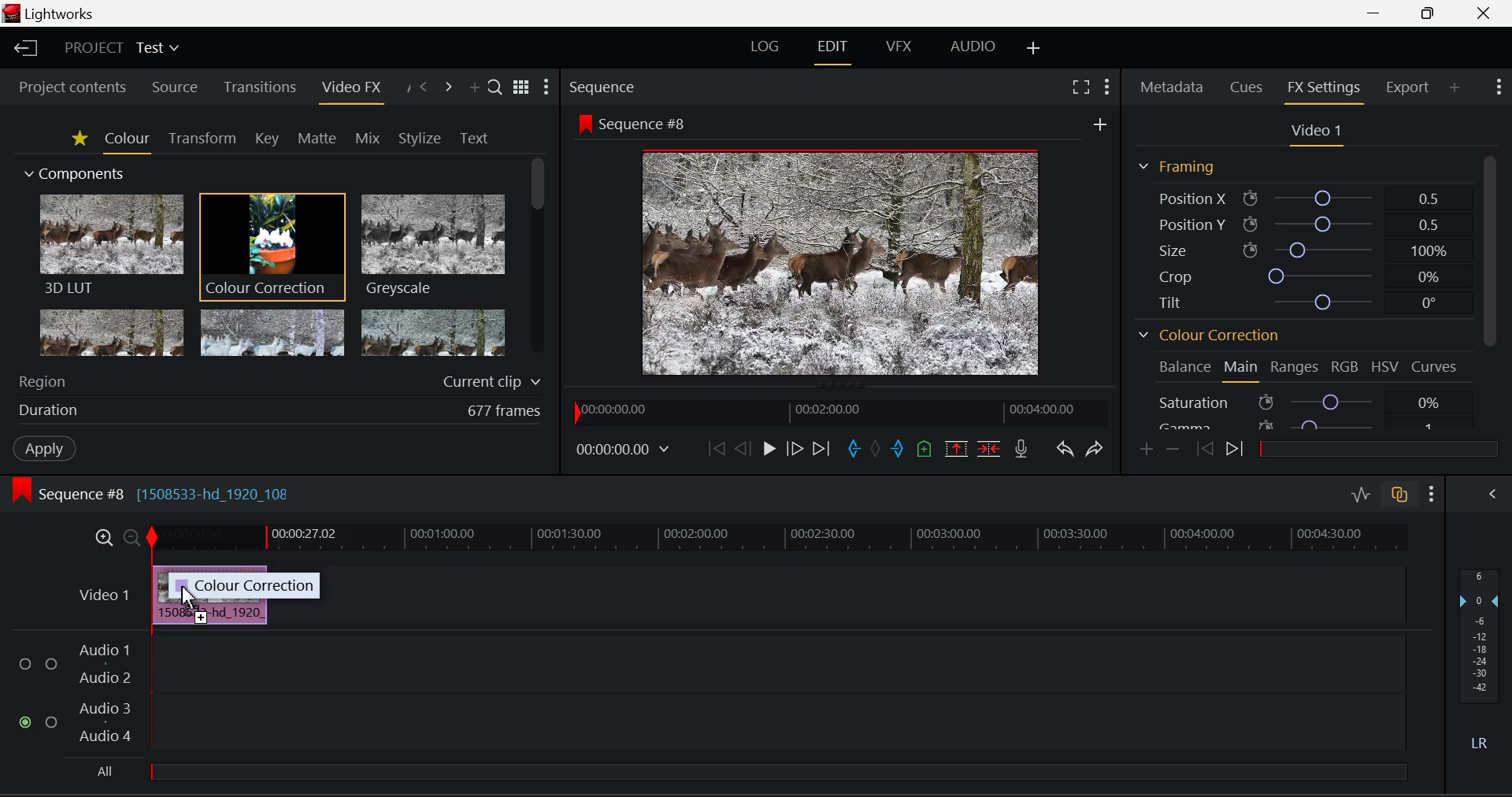 This screenshot has height=797, width=1512. What do you see at coordinates (431, 247) in the screenshot?
I see `Greyscale` at bounding box center [431, 247].